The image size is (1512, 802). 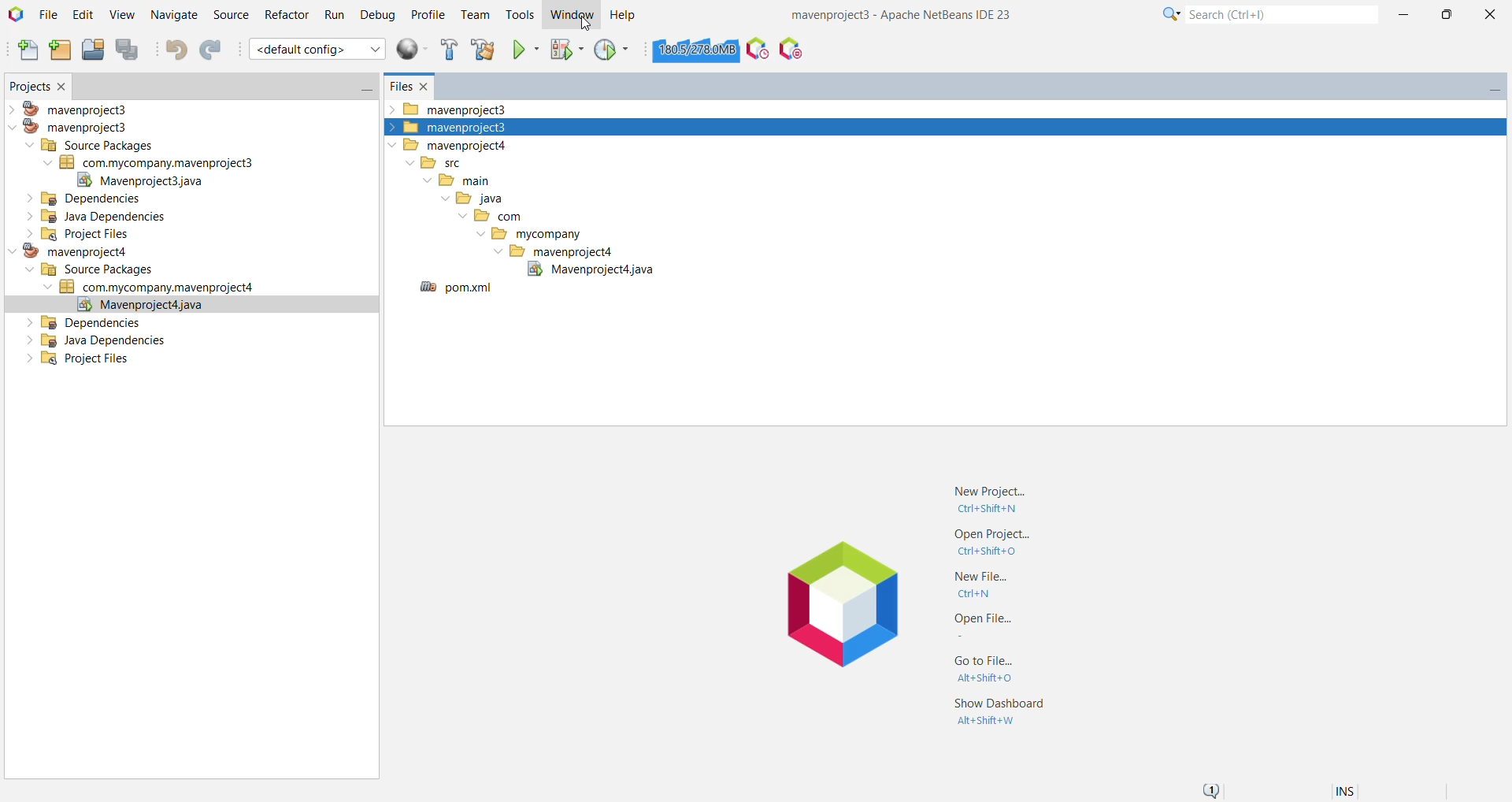 What do you see at coordinates (994, 501) in the screenshot?
I see `New Project` at bounding box center [994, 501].